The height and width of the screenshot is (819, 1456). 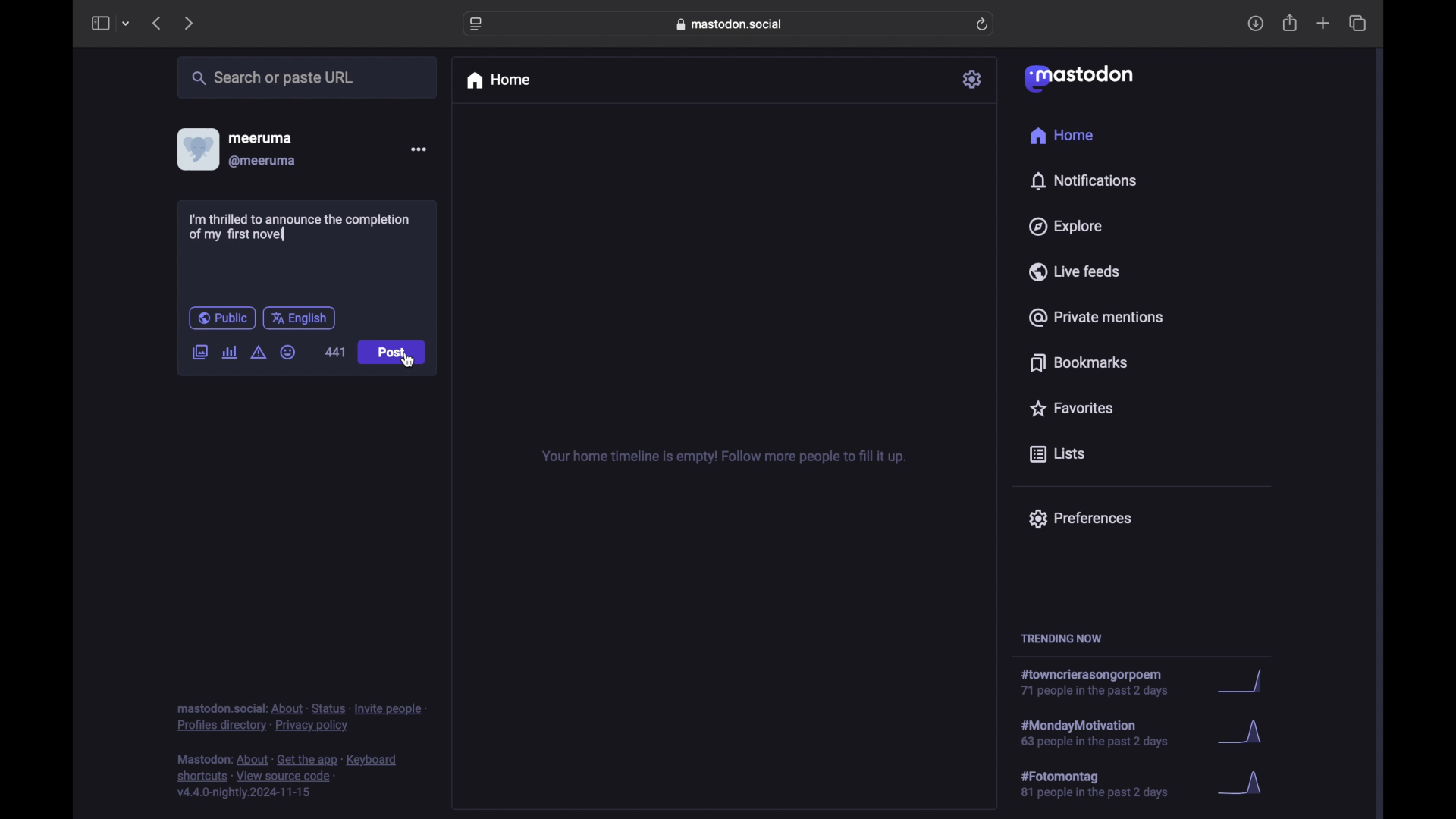 I want to click on text cursor, so click(x=286, y=232).